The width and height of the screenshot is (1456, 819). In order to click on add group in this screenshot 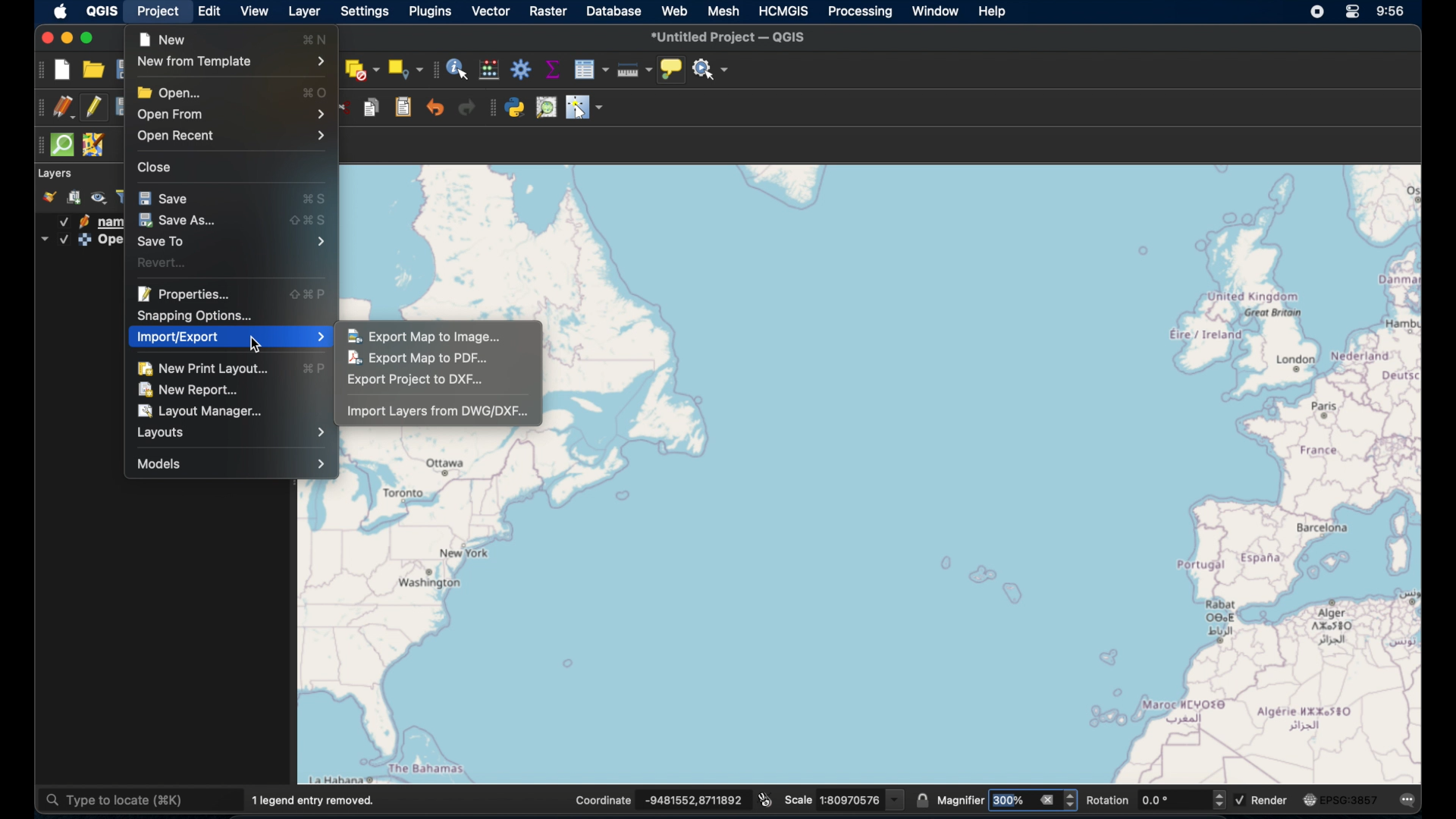, I will do `click(77, 197)`.